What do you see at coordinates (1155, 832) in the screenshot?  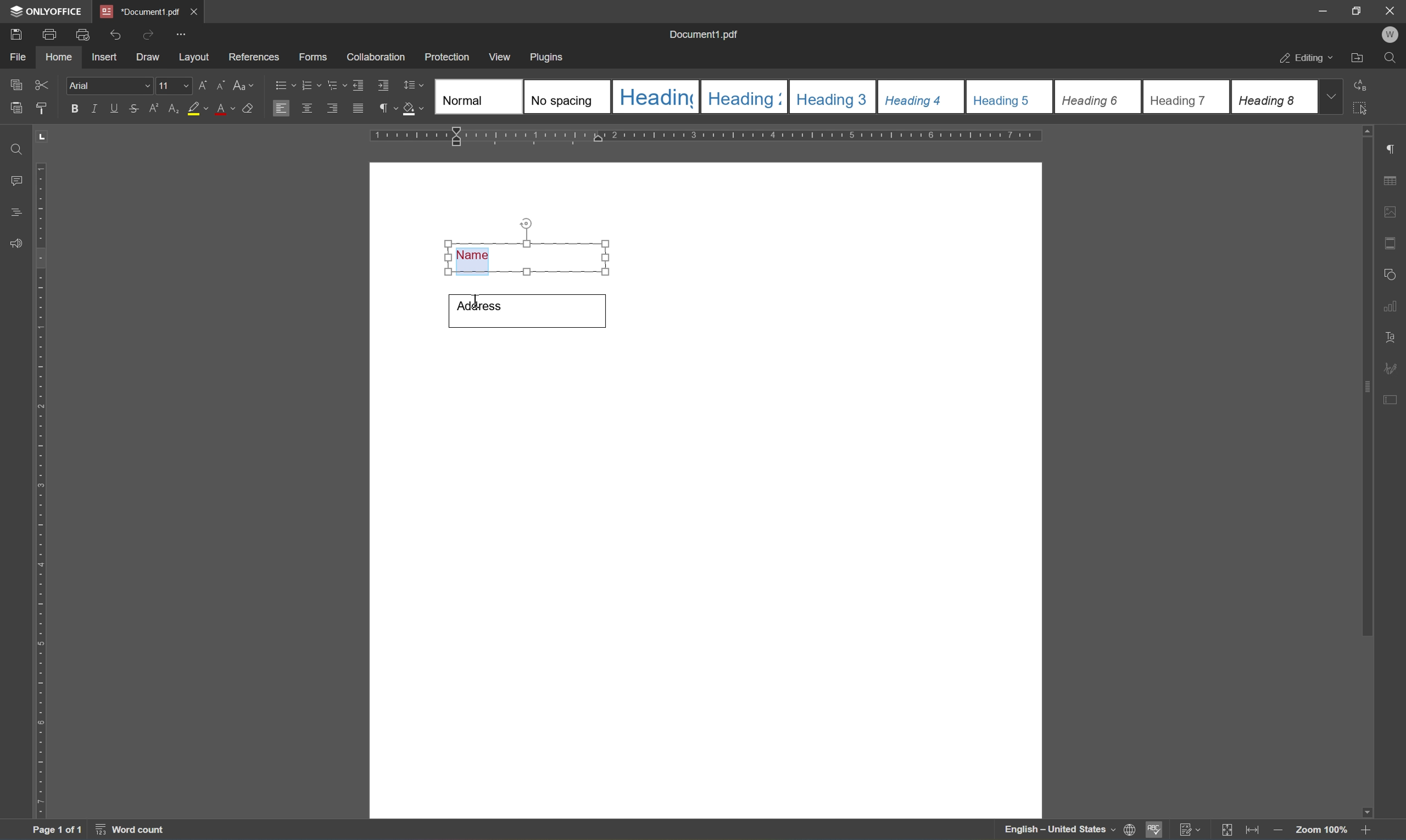 I see `spell checking` at bounding box center [1155, 832].